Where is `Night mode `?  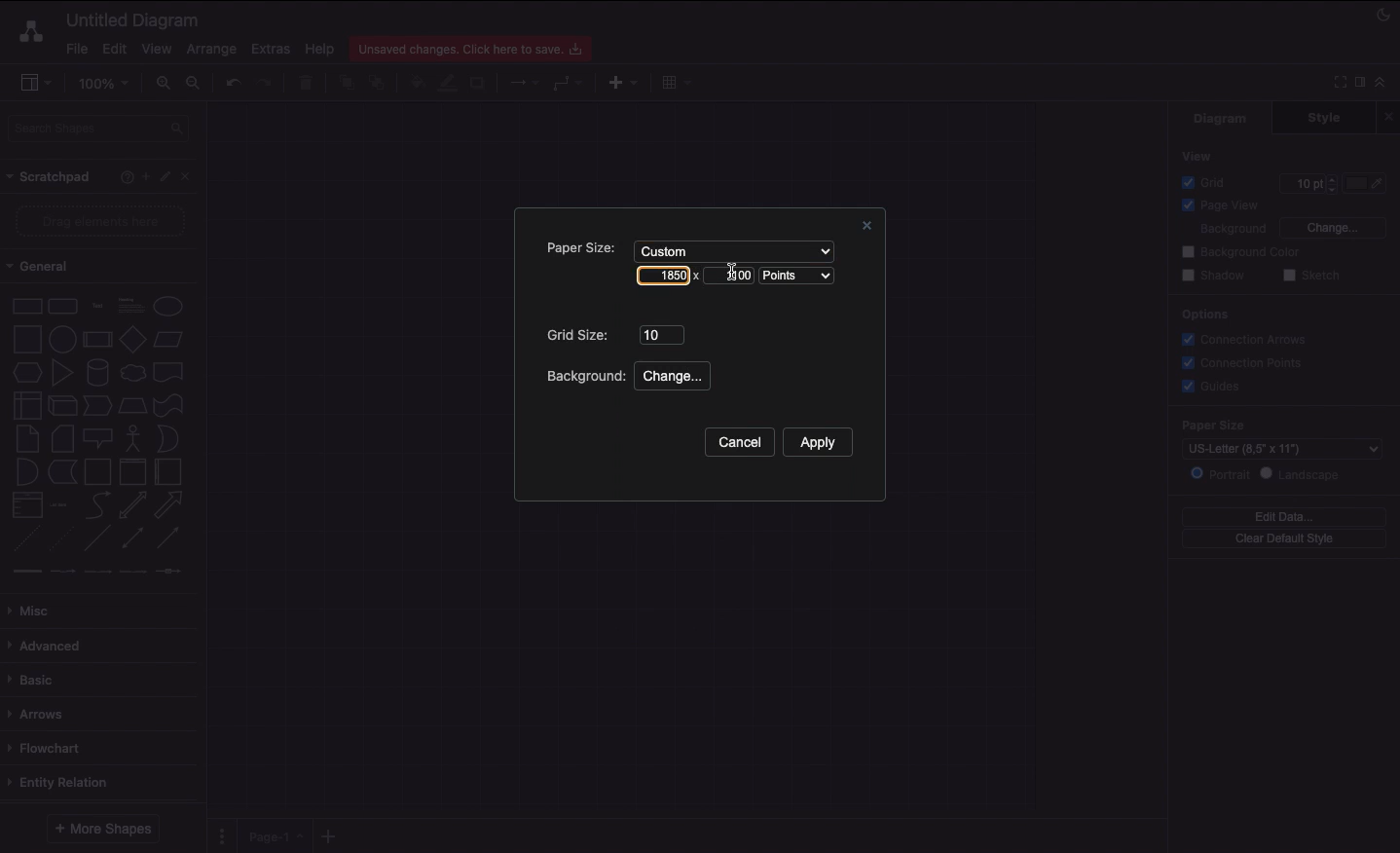
Night mode  is located at coordinates (1384, 13).